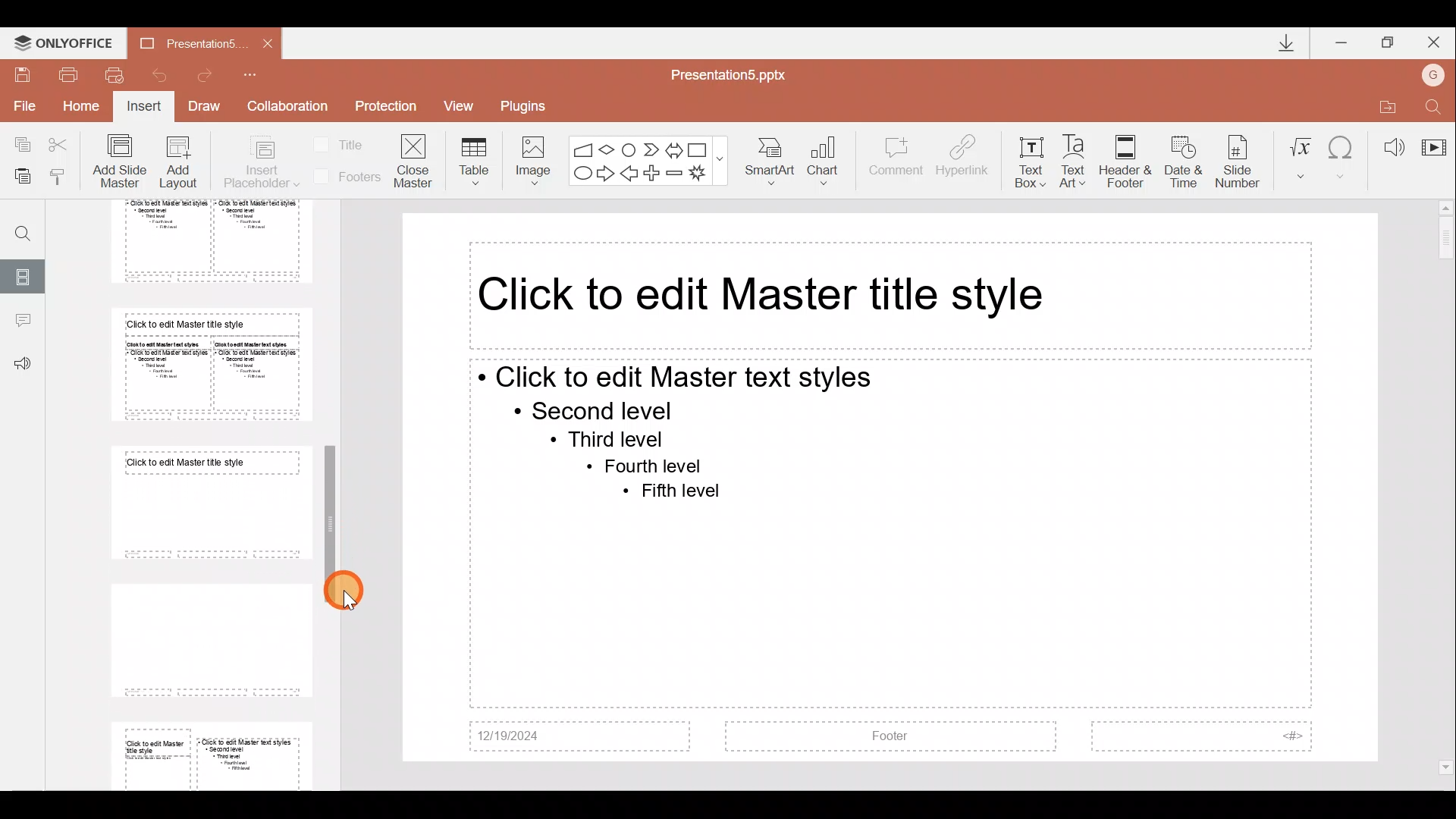 This screenshot has width=1456, height=819. I want to click on Video, so click(1433, 140).